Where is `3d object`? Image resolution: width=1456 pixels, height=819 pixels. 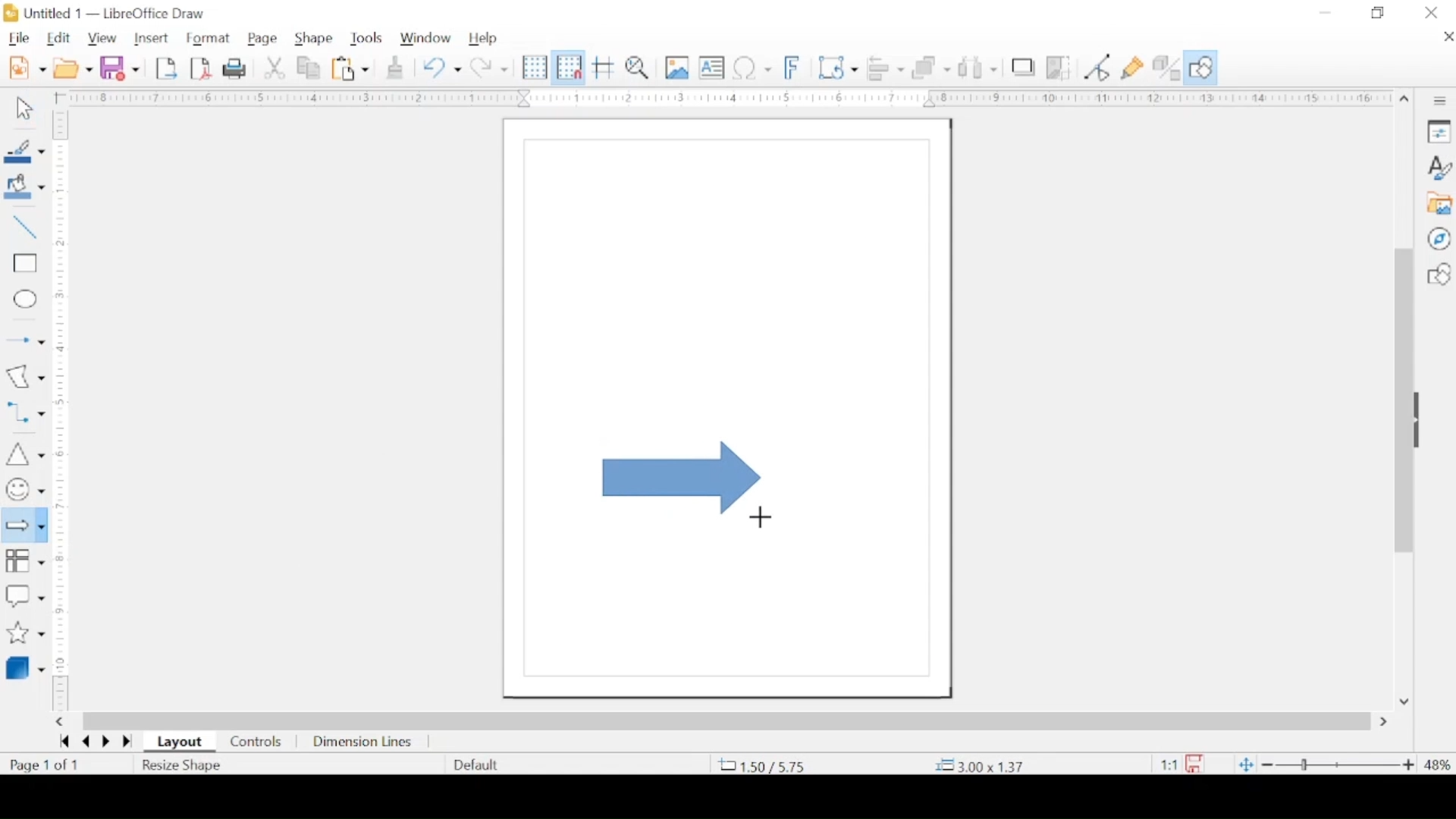 3d object is located at coordinates (27, 667).